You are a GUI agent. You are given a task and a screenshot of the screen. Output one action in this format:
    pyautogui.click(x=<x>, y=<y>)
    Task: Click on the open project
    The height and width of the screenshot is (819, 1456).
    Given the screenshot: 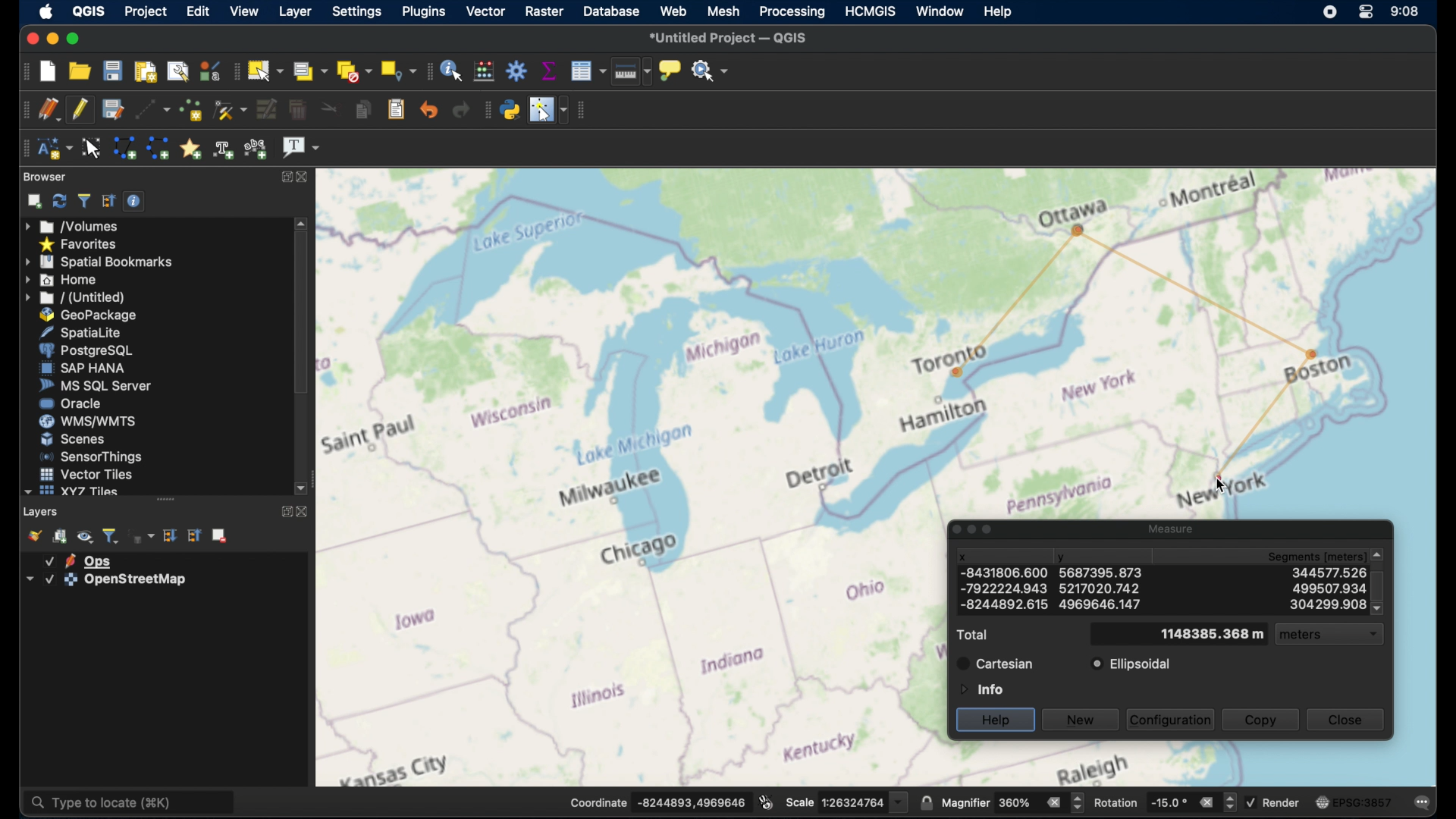 What is the action you would take?
    pyautogui.click(x=82, y=71)
    